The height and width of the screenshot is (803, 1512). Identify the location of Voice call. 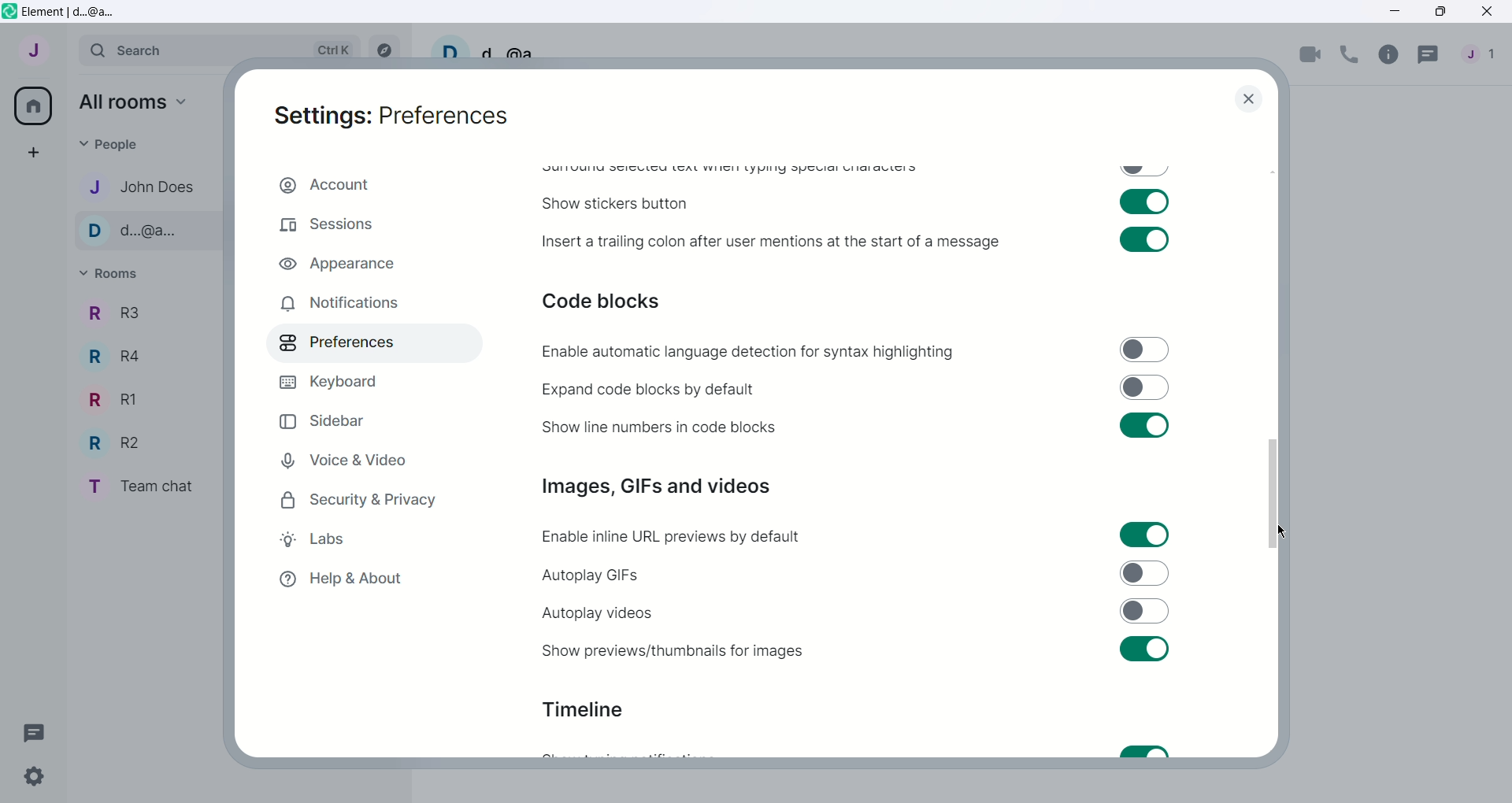
(1350, 55).